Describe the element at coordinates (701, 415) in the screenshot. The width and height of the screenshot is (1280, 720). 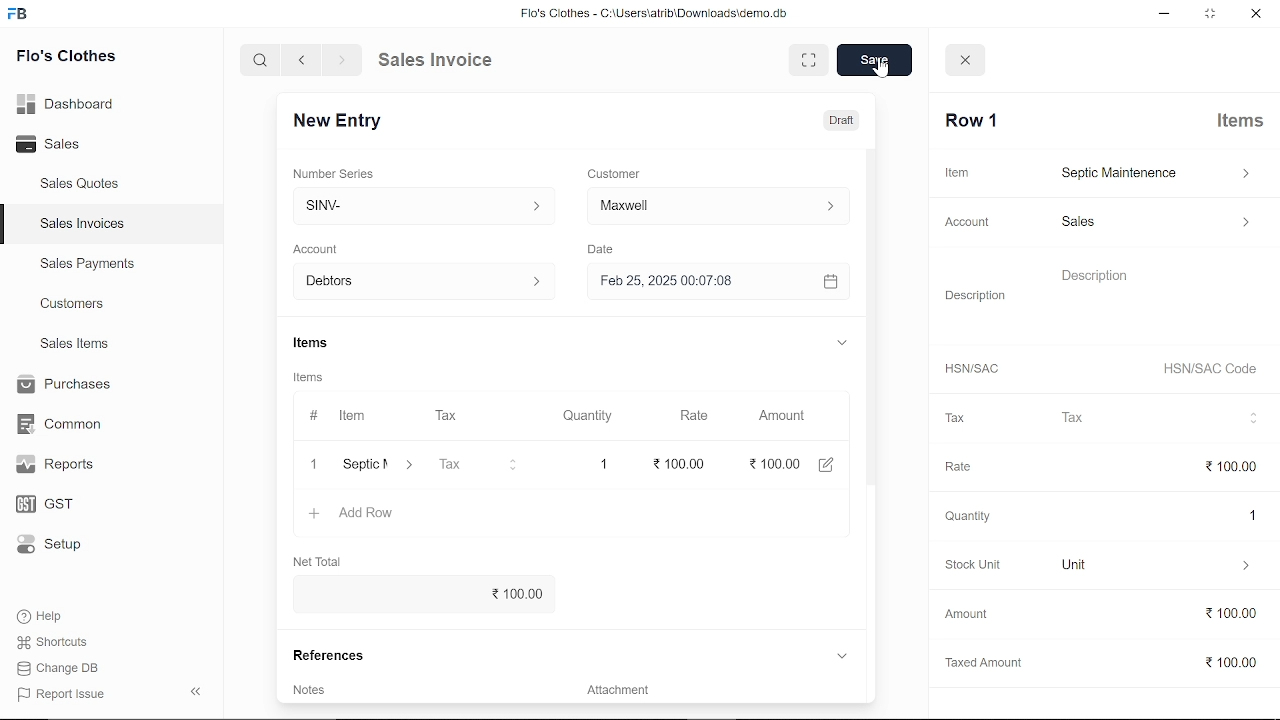
I see `Rate` at that location.